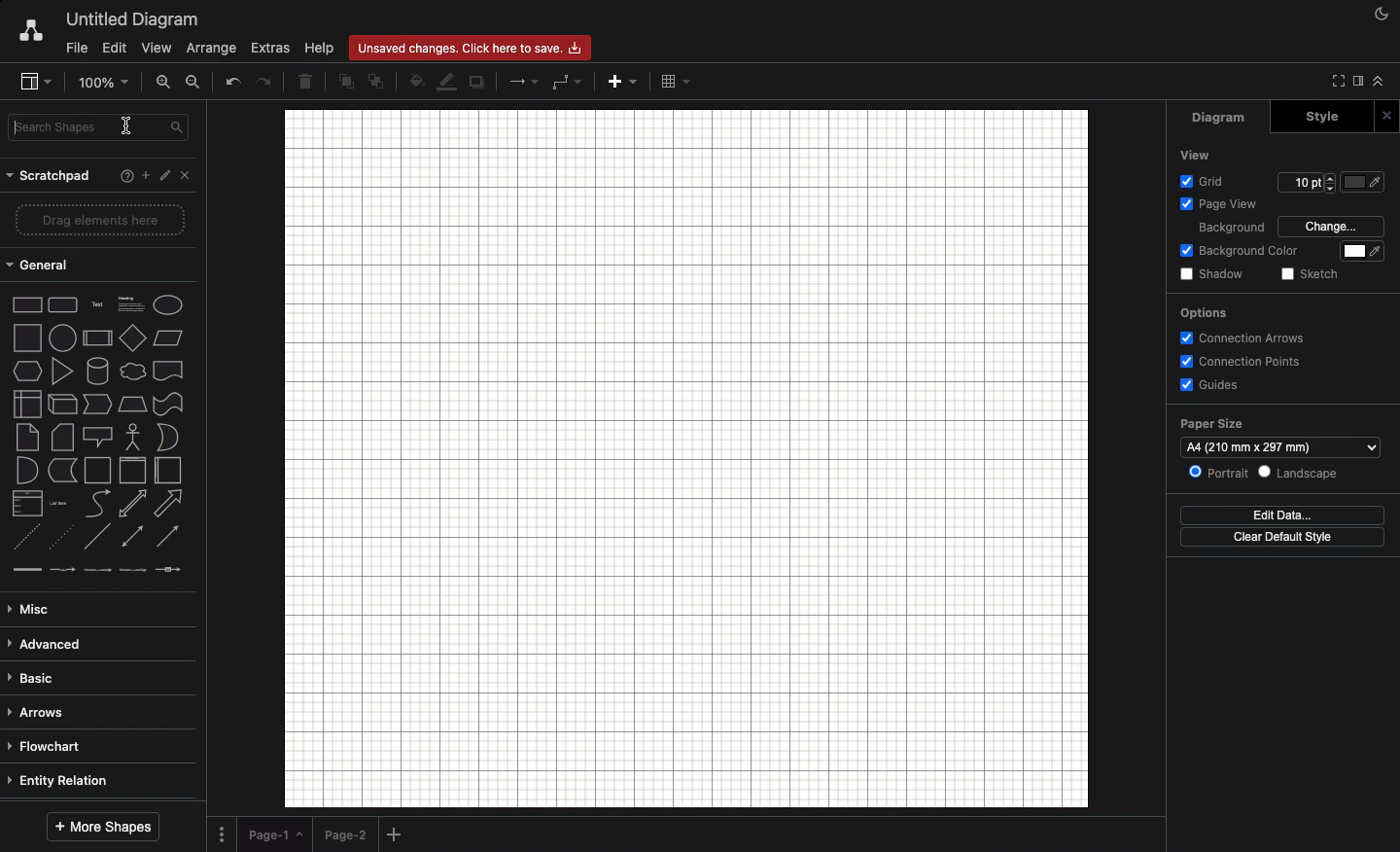  I want to click on Sidebar, so click(1355, 82).